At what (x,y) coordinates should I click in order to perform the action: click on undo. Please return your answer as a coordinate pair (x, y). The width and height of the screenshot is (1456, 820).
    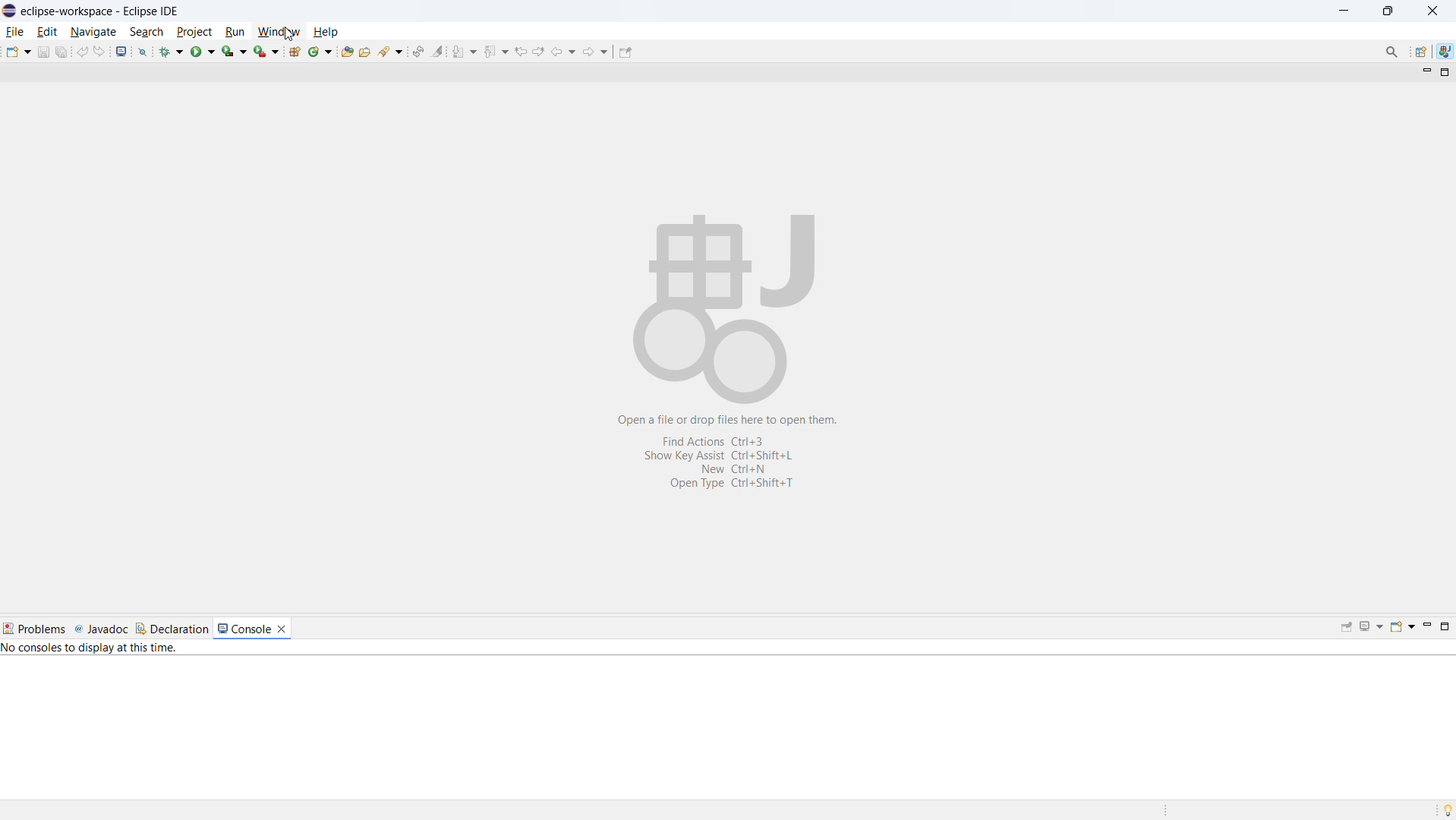
    Looking at the image, I should click on (82, 52).